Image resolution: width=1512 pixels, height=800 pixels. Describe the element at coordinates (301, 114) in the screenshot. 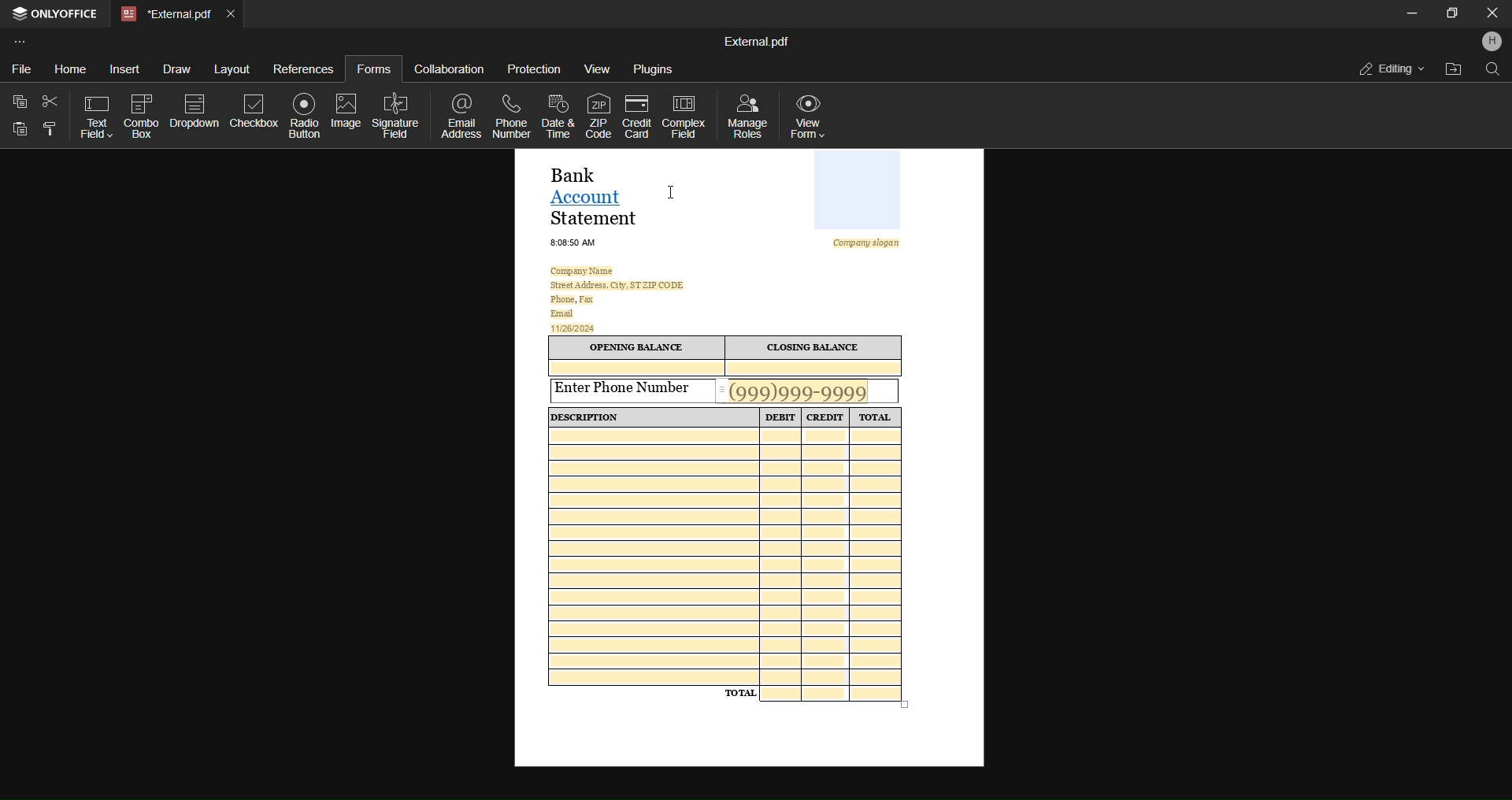

I see `radio button` at that location.